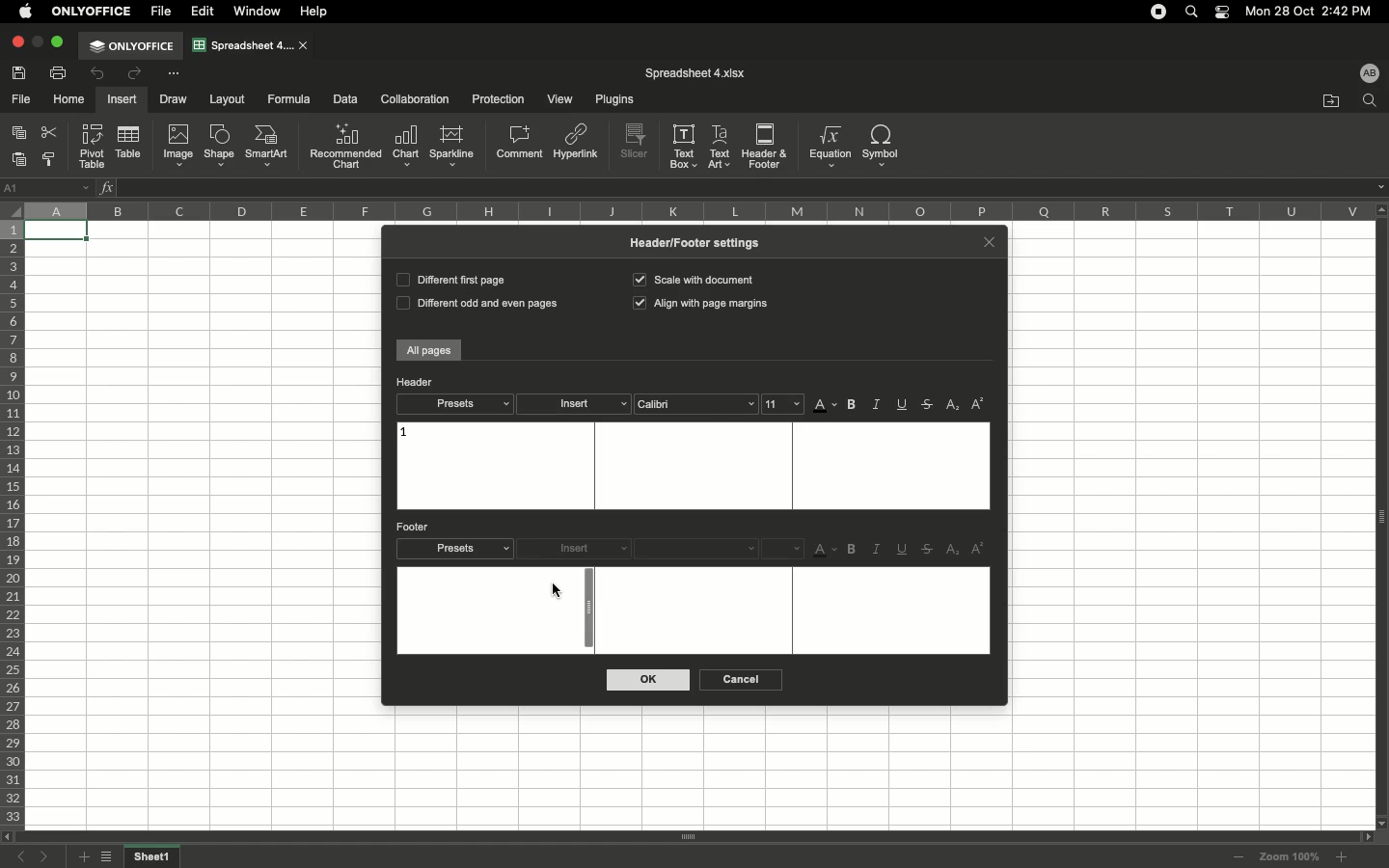 The height and width of the screenshot is (868, 1389). Describe the element at coordinates (14, 524) in the screenshot. I see `Row` at that location.